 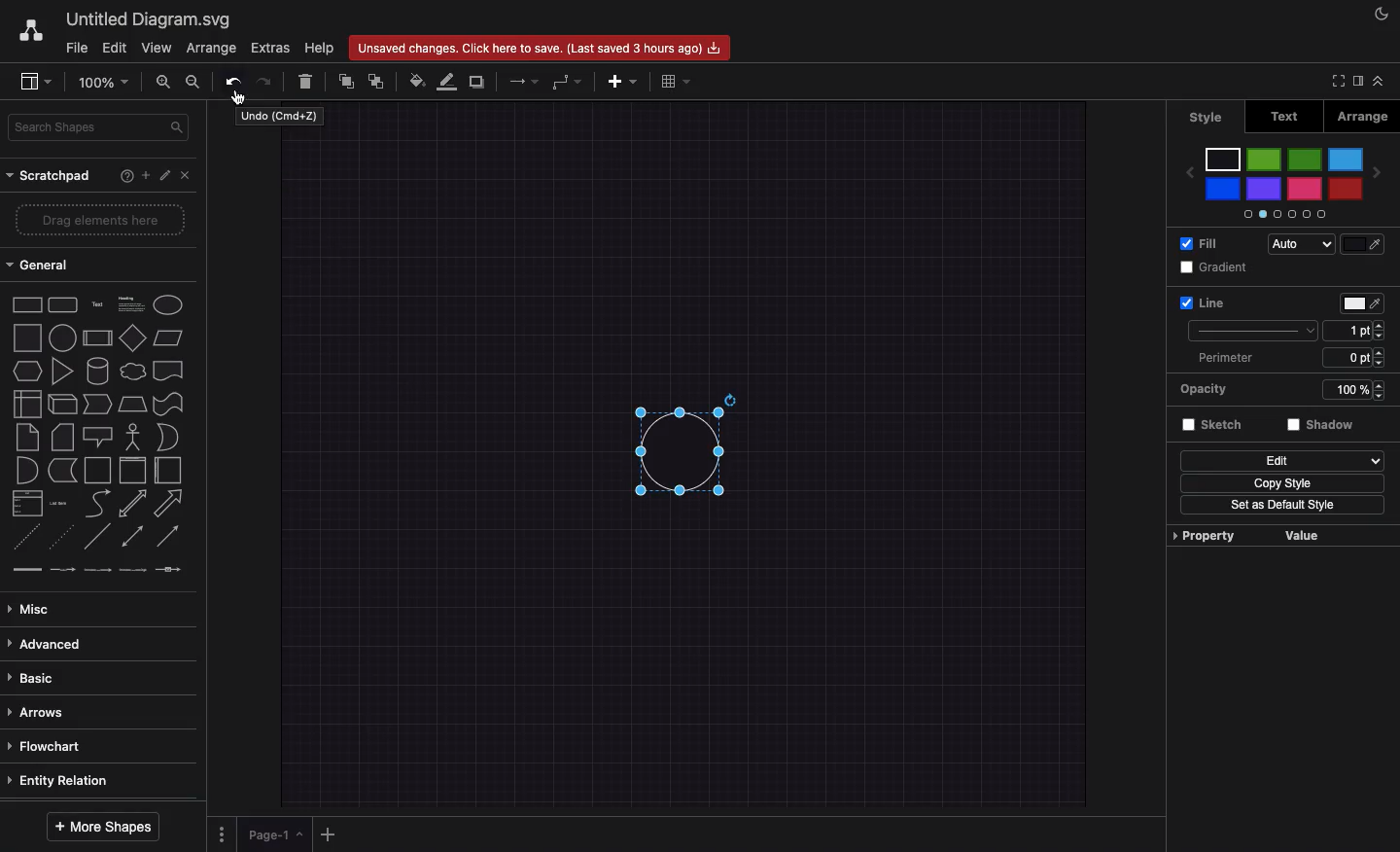 What do you see at coordinates (1216, 266) in the screenshot?
I see `Gradient` at bounding box center [1216, 266].